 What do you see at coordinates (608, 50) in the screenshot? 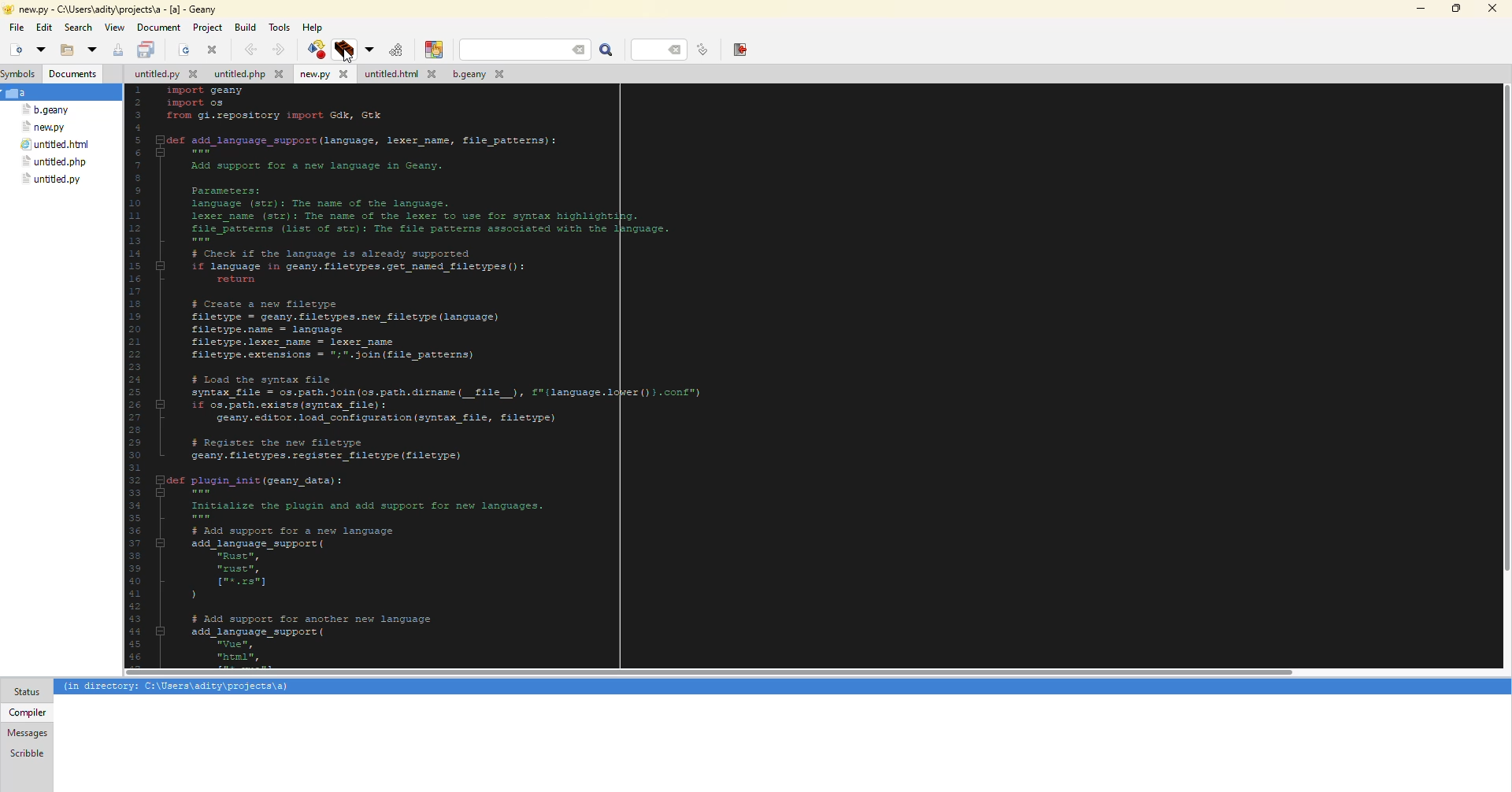
I see `search` at bounding box center [608, 50].